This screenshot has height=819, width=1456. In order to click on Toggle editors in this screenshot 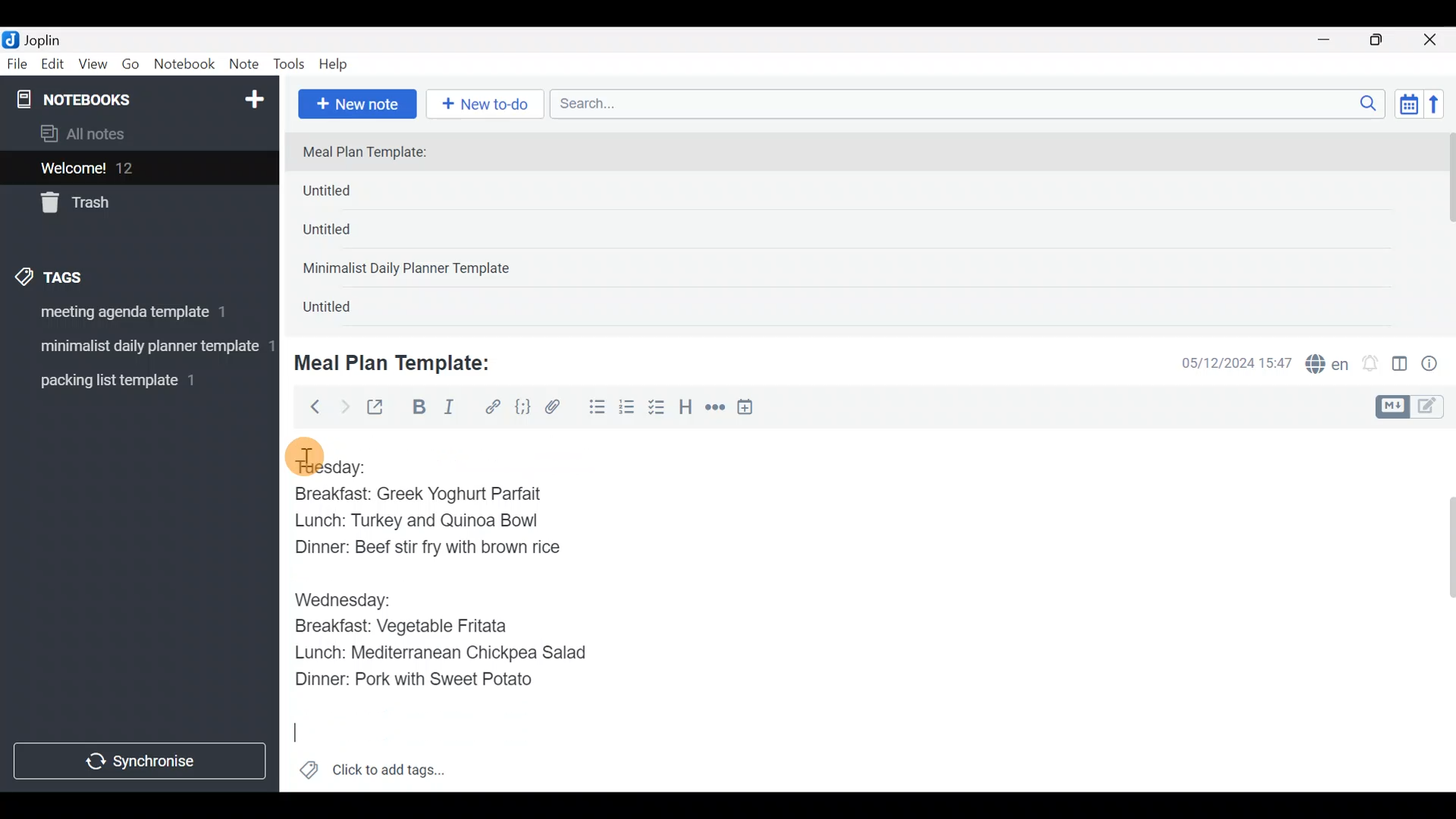, I will do `click(1414, 405)`.